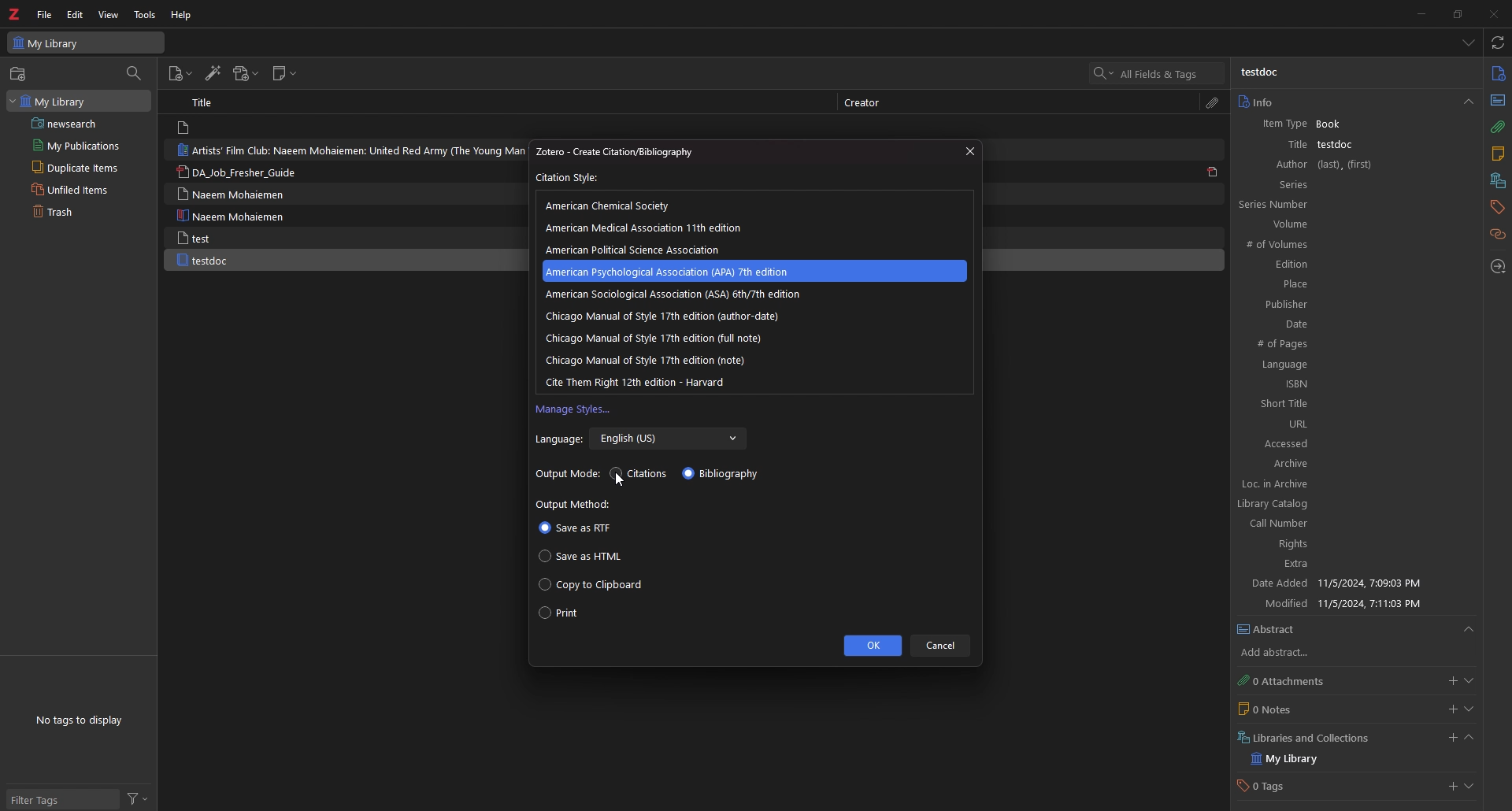 This screenshot has height=811, width=1512. What do you see at coordinates (1350, 224) in the screenshot?
I see `Volume` at bounding box center [1350, 224].